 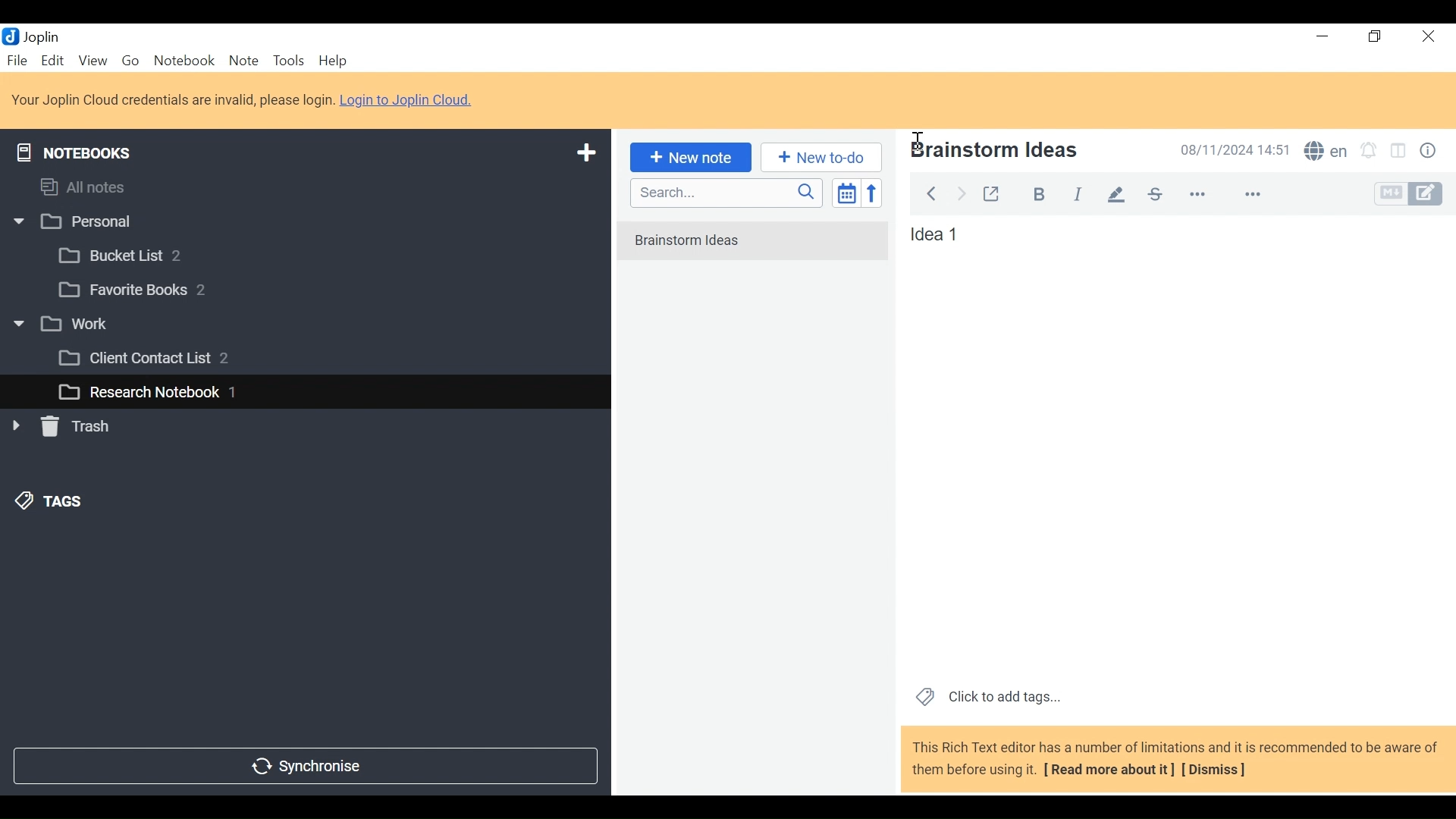 I want to click on Joplin Desktop Icon, so click(x=39, y=36).